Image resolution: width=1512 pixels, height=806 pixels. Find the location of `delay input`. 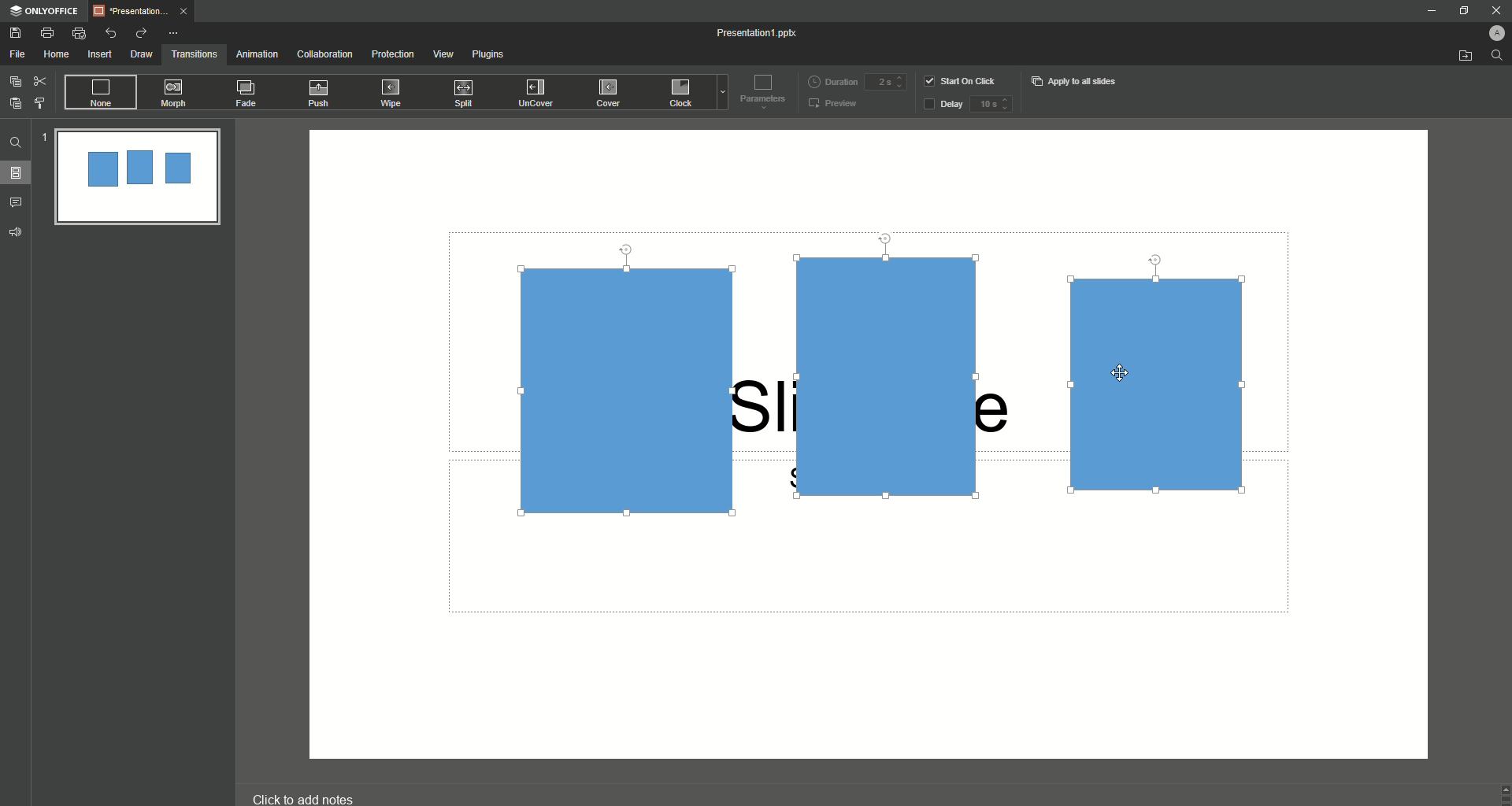

delay input is located at coordinates (991, 104).